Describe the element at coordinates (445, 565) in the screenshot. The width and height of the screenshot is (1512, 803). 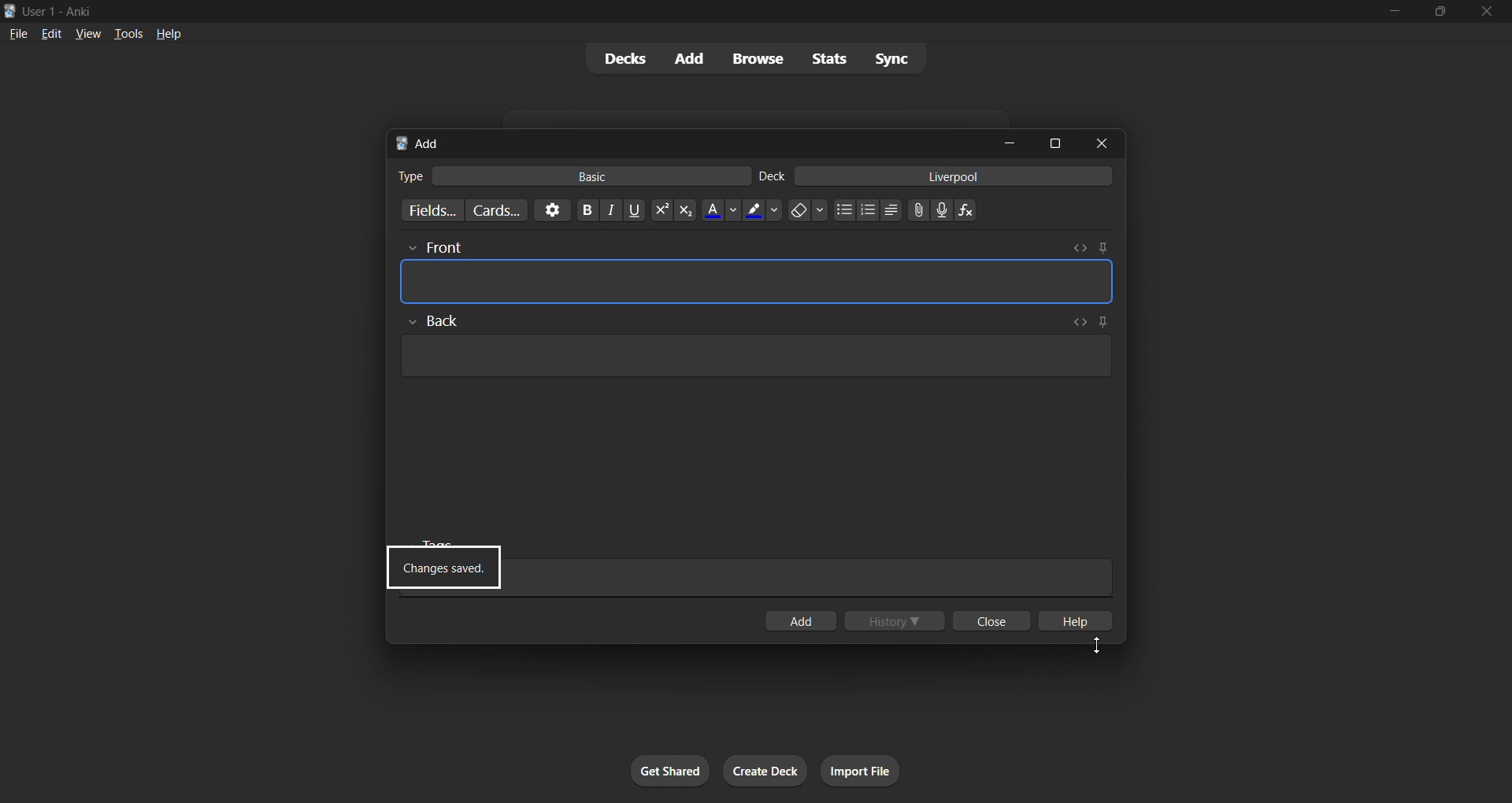
I see `status update` at that location.